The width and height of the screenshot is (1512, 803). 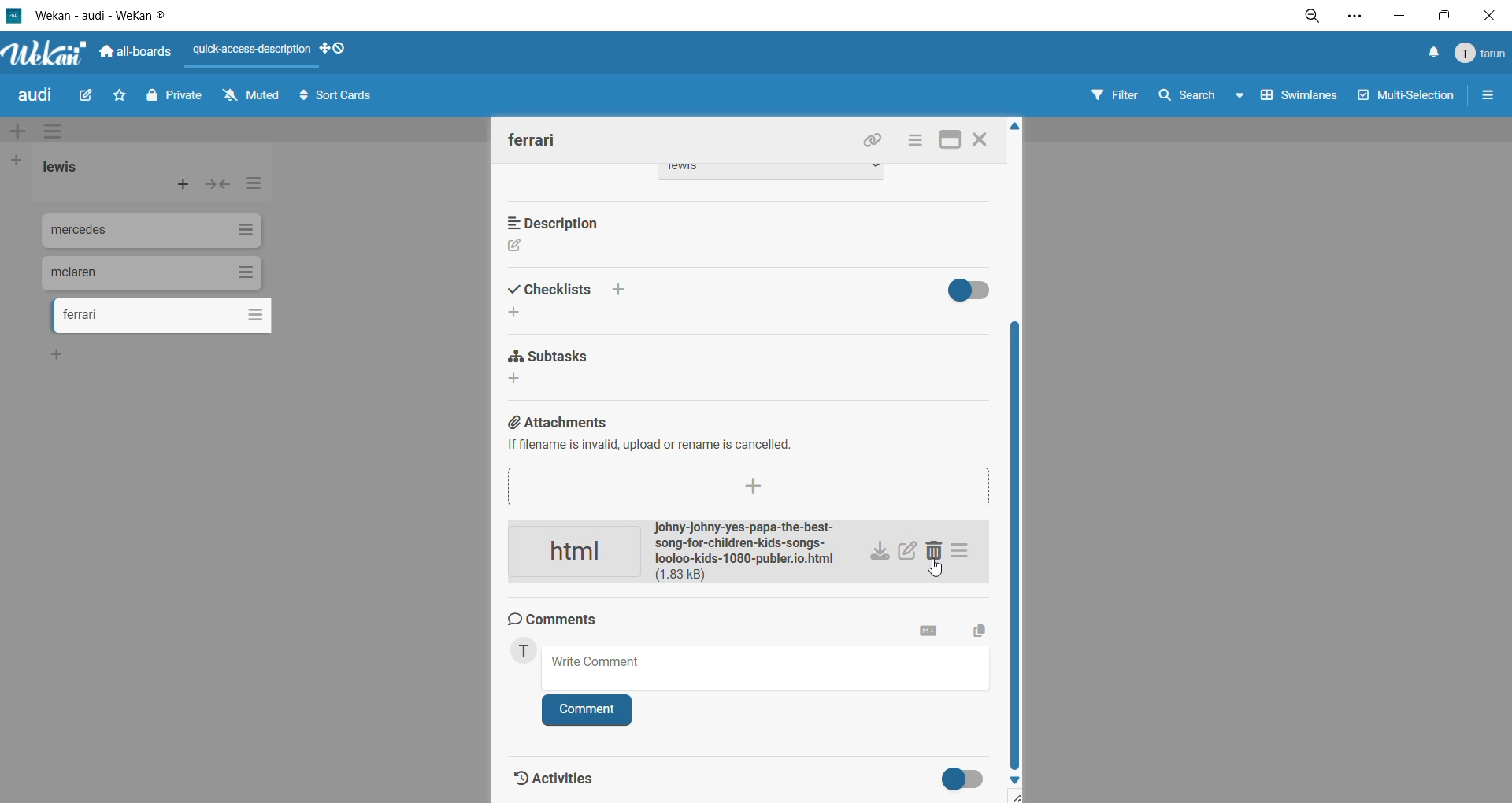 What do you see at coordinates (1316, 16) in the screenshot?
I see `zoom` at bounding box center [1316, 16].